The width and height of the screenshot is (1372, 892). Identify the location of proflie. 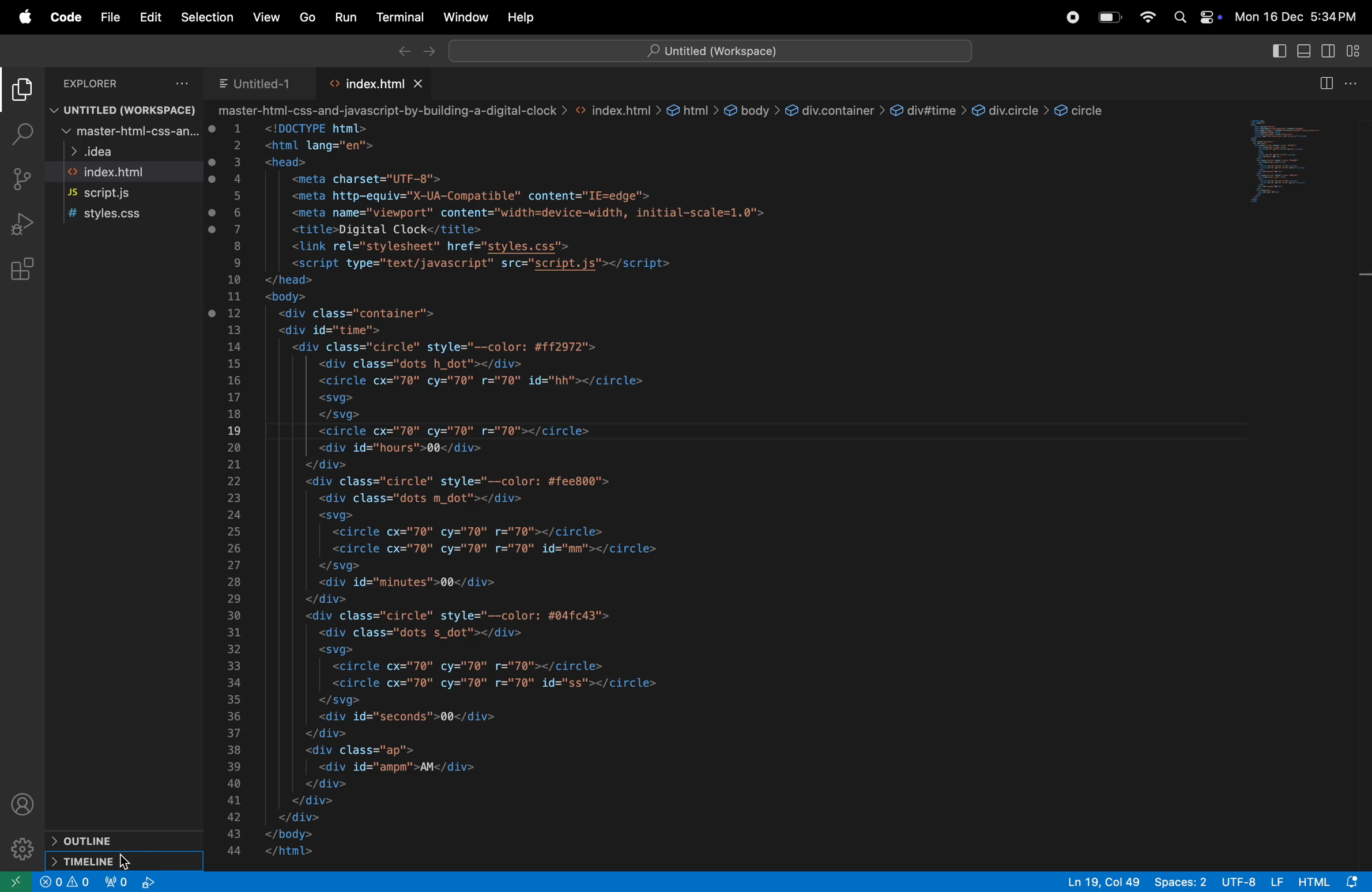
(24, 803).